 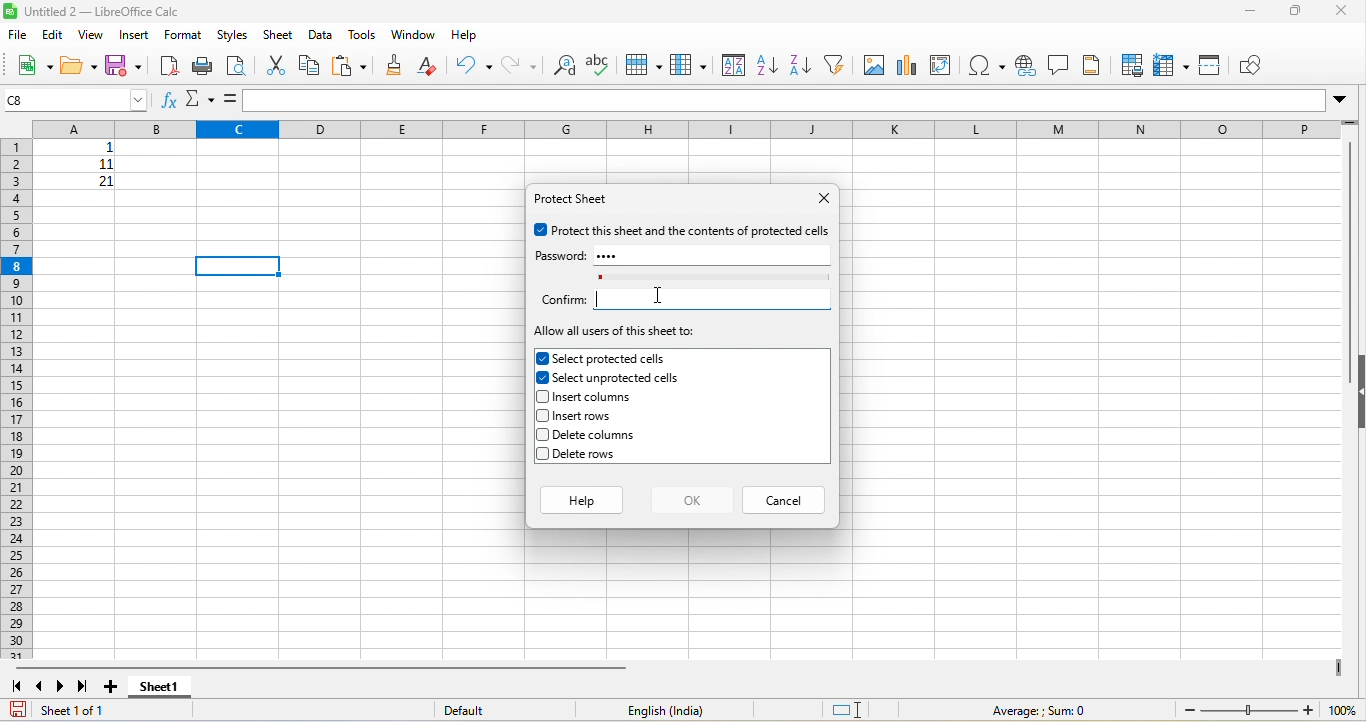 I want to click on close, so click(x=1345, y=11).